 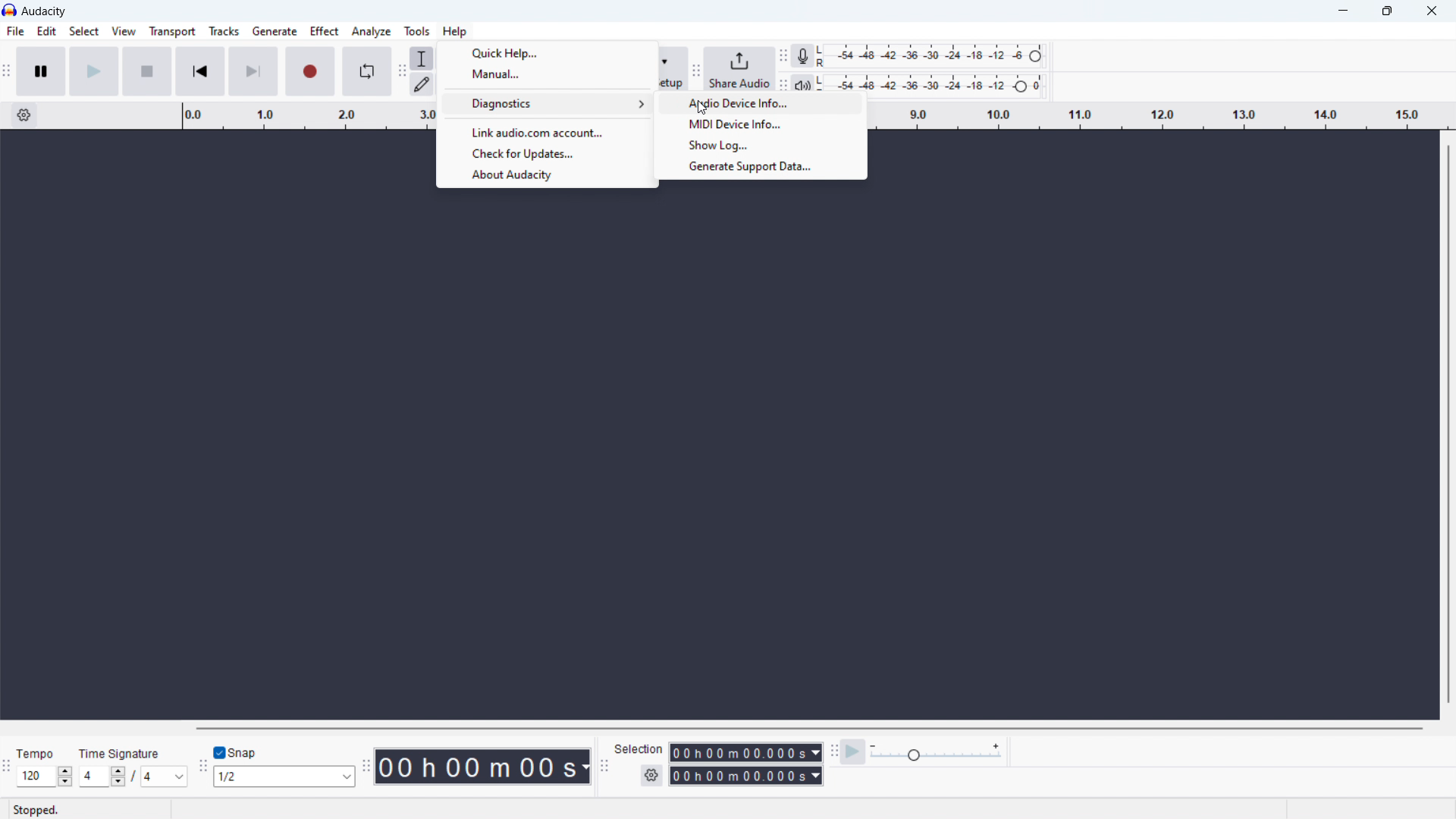 What do you see at coordinates (547, 74) in the screenshot?
I see `manual` at bounding box center [547, 74].